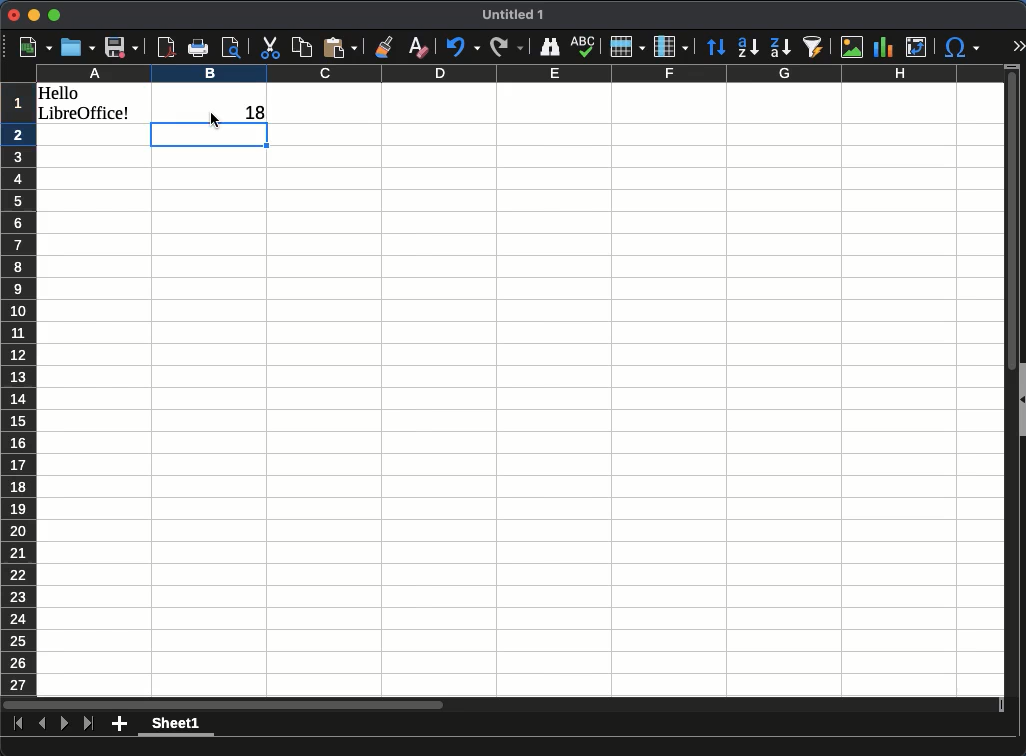  I want to click on pivot table, so click(914, 45).